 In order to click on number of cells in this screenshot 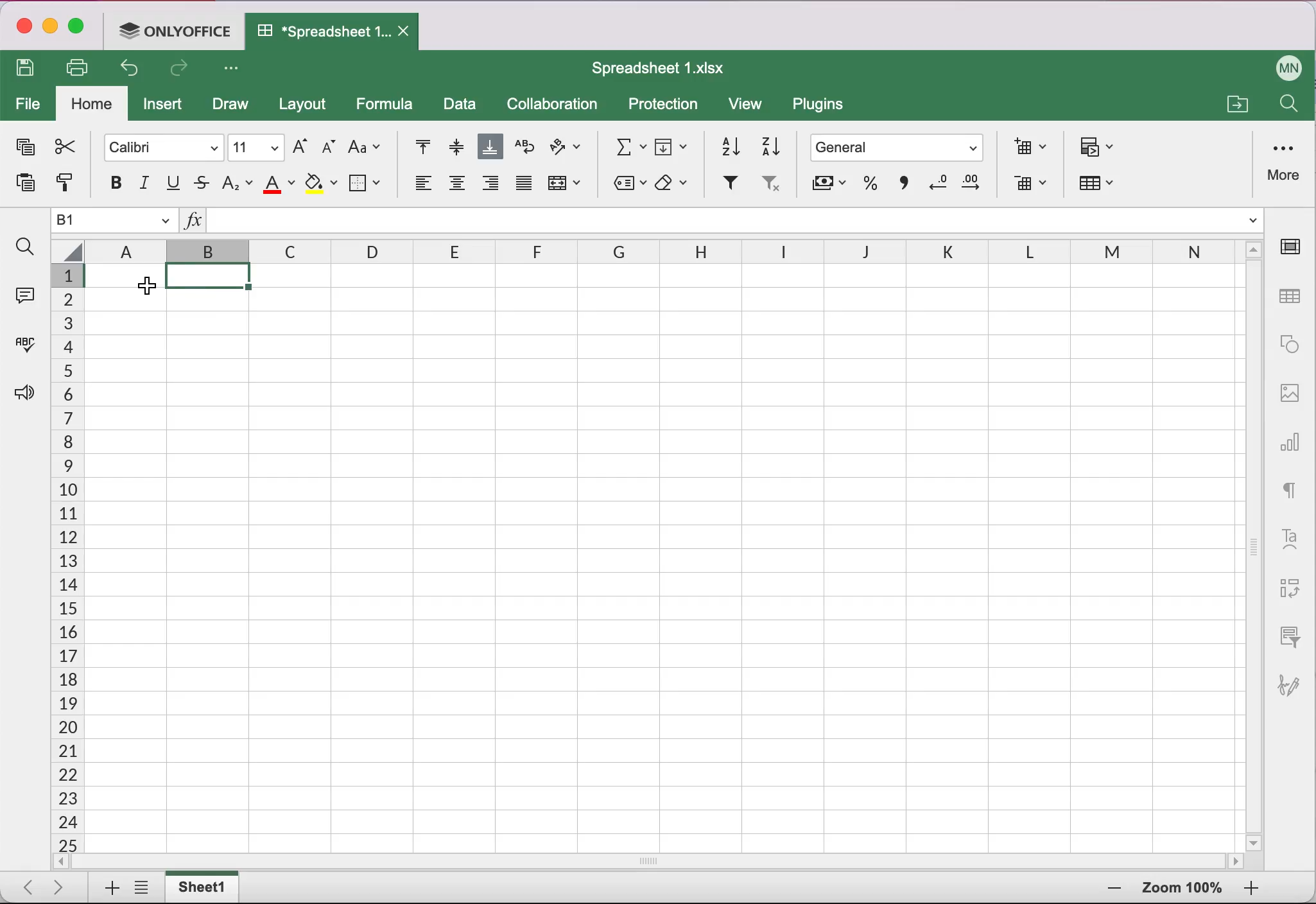, I will do `click(65, 559)`.